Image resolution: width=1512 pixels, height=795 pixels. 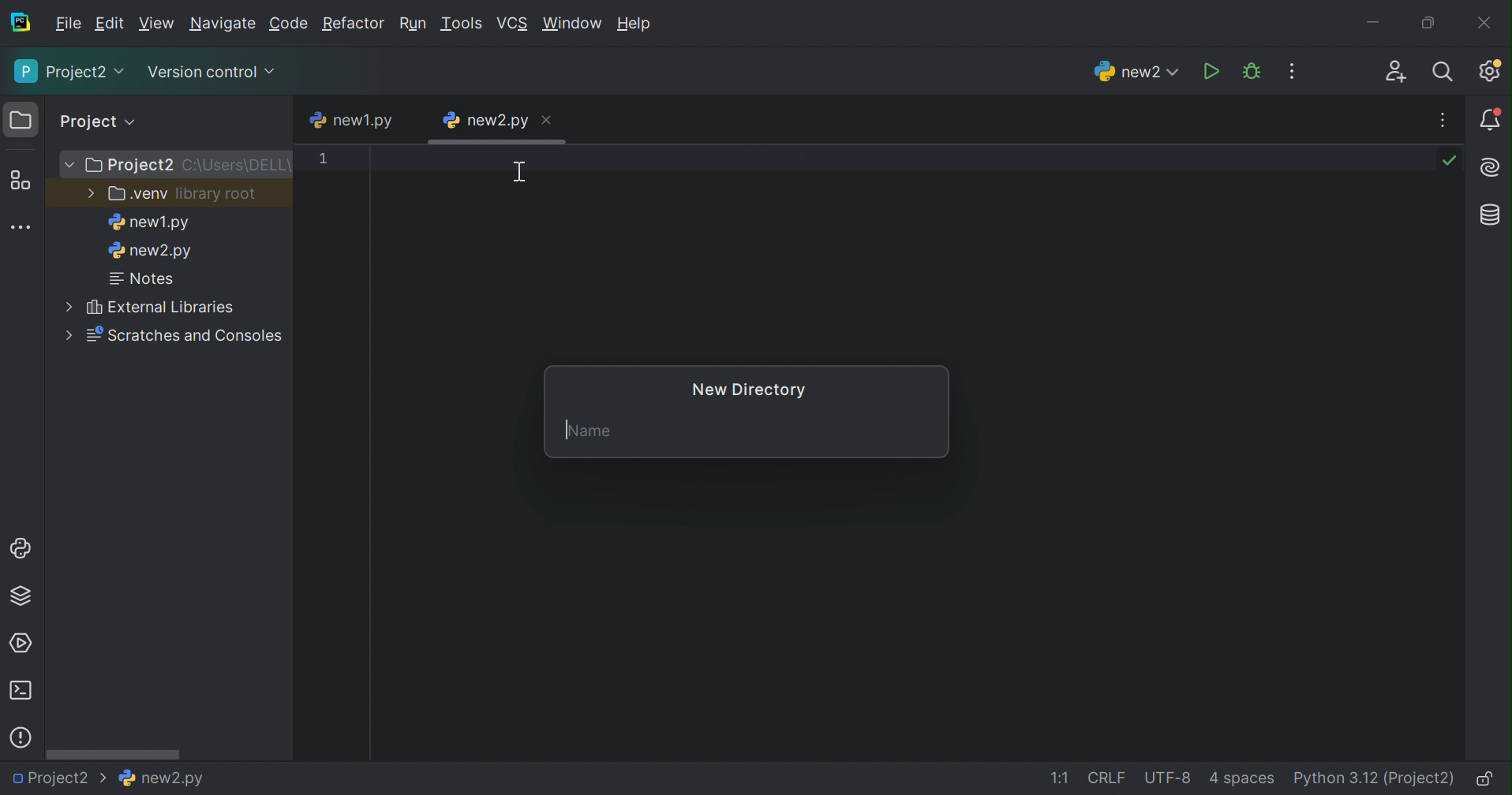 What do you see at coordinates (1167, 779) in the screenshot?
I see `UTF-8` at bounding box center [1167, 779].